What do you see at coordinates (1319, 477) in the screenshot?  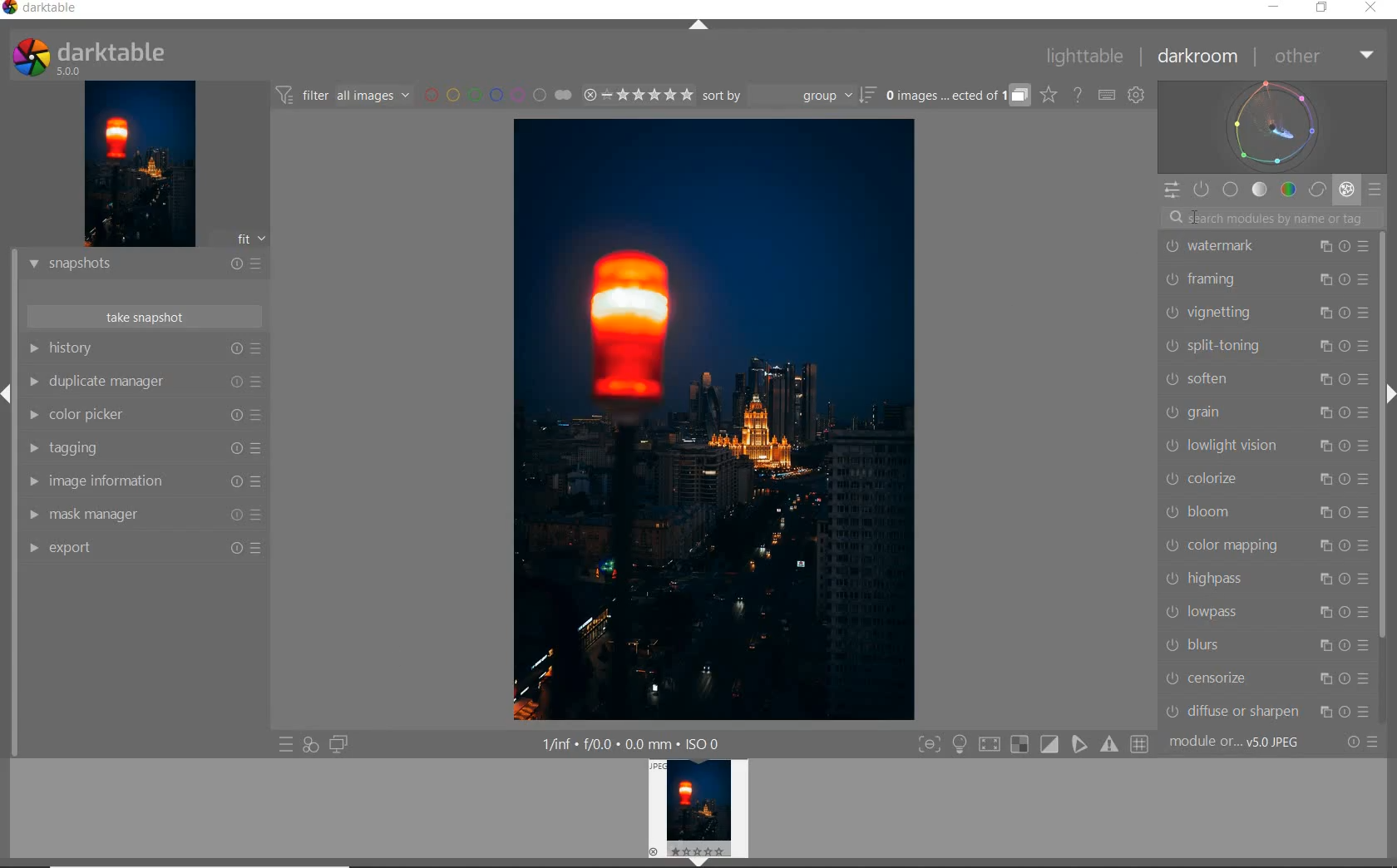 I see `Multiple instance` at bounding box center [1319, 477].